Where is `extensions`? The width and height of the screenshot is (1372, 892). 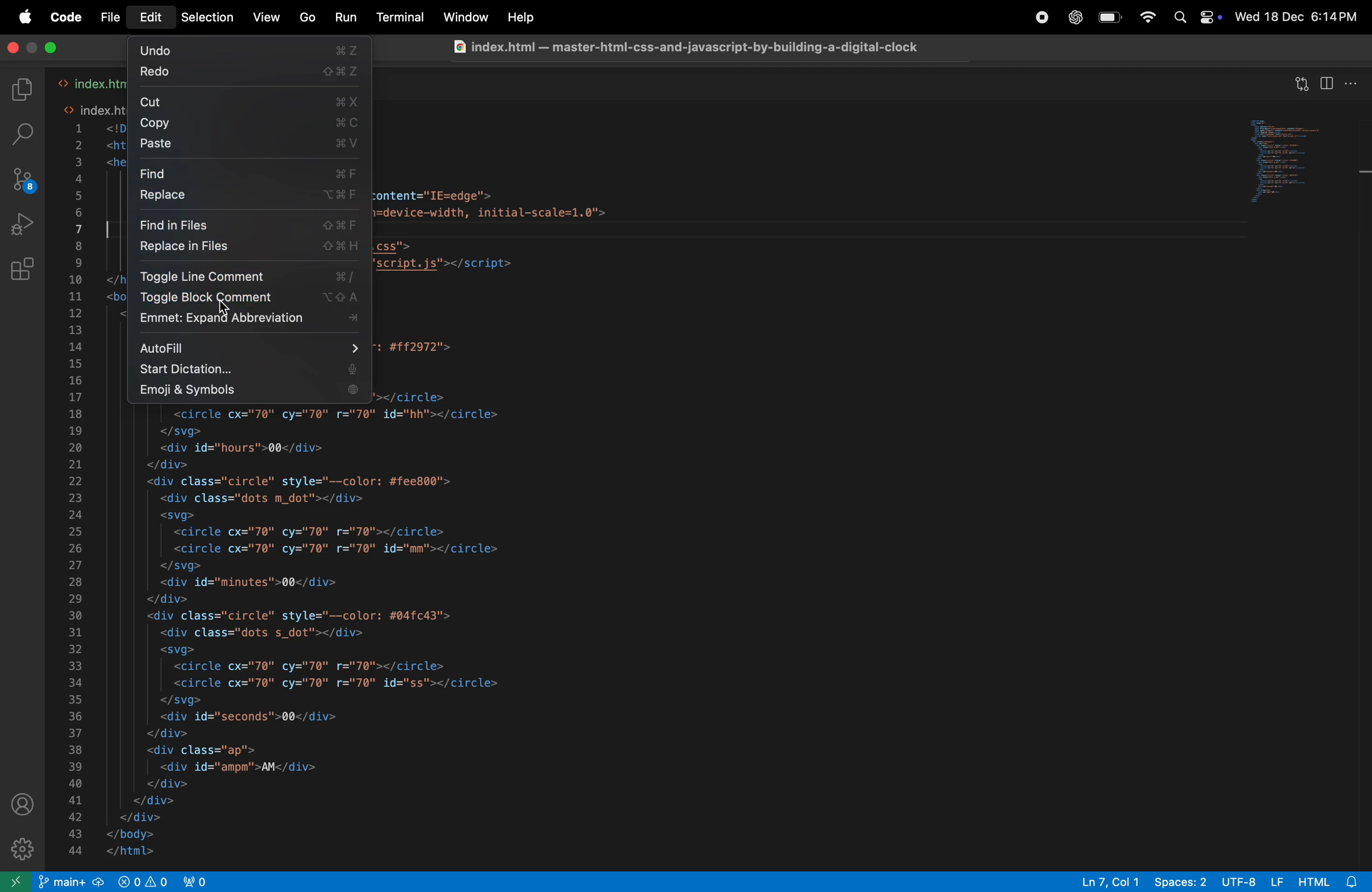
extensions is located at coordinates (24, 272).